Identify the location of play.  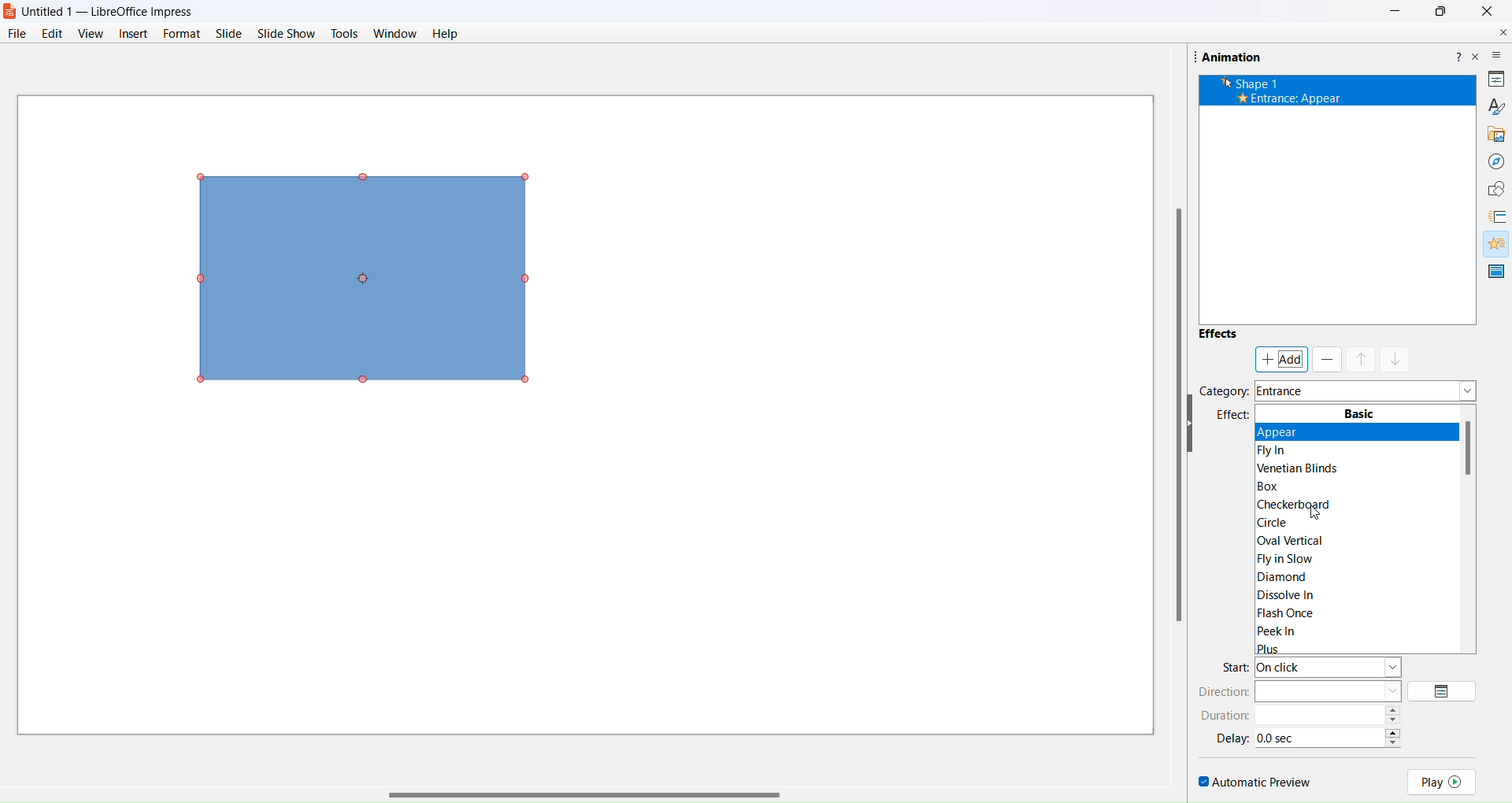
(1443, 780).